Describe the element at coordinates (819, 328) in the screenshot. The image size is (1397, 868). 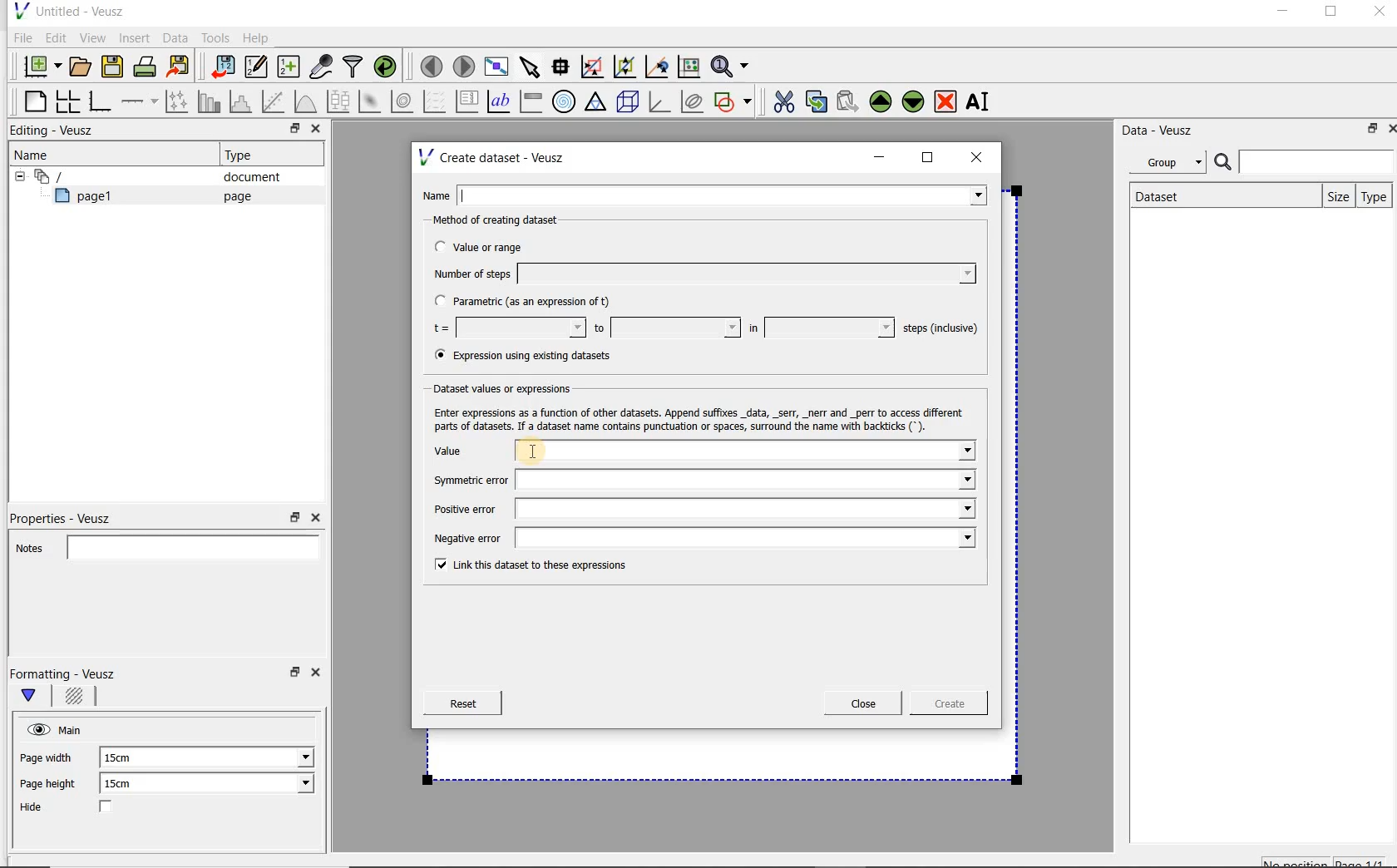
I see `in ` at that location.